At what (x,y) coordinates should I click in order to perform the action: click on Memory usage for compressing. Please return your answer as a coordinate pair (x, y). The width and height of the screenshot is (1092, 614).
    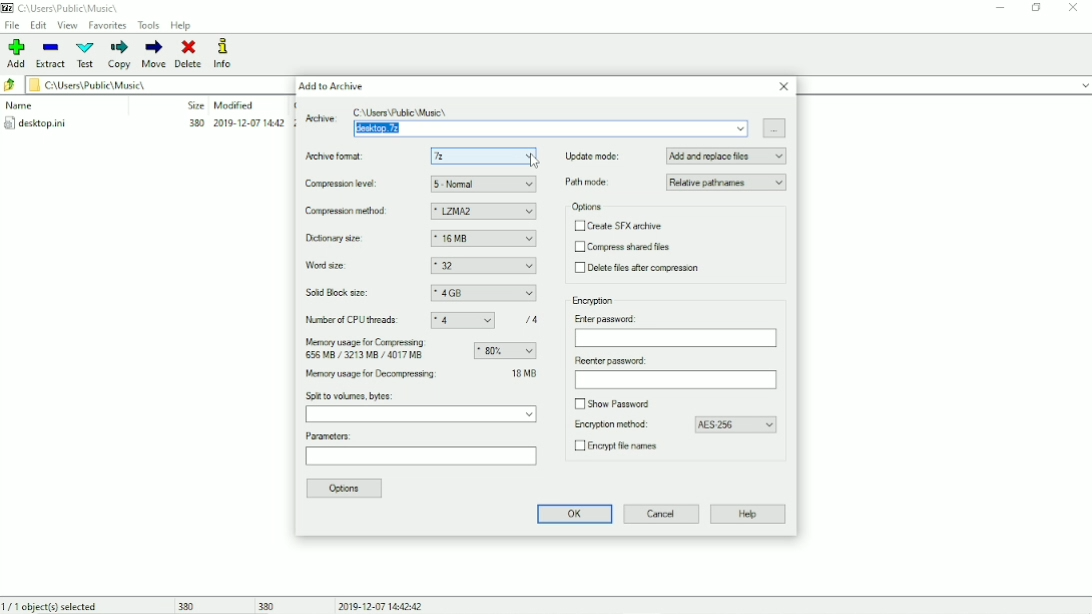
    Looking at the image, I should click on (420, 349).